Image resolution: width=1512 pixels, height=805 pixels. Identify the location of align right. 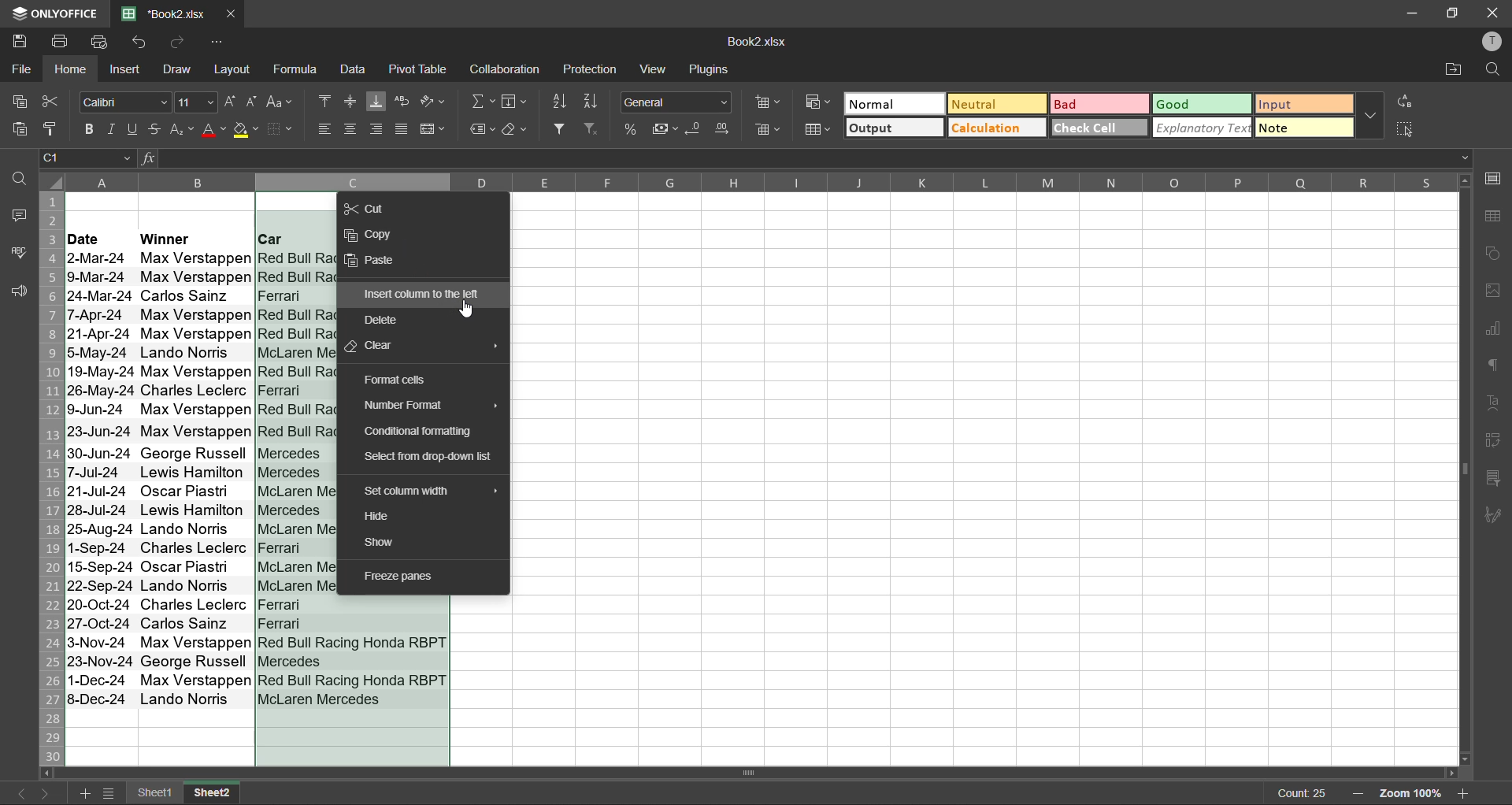
(378, 131).